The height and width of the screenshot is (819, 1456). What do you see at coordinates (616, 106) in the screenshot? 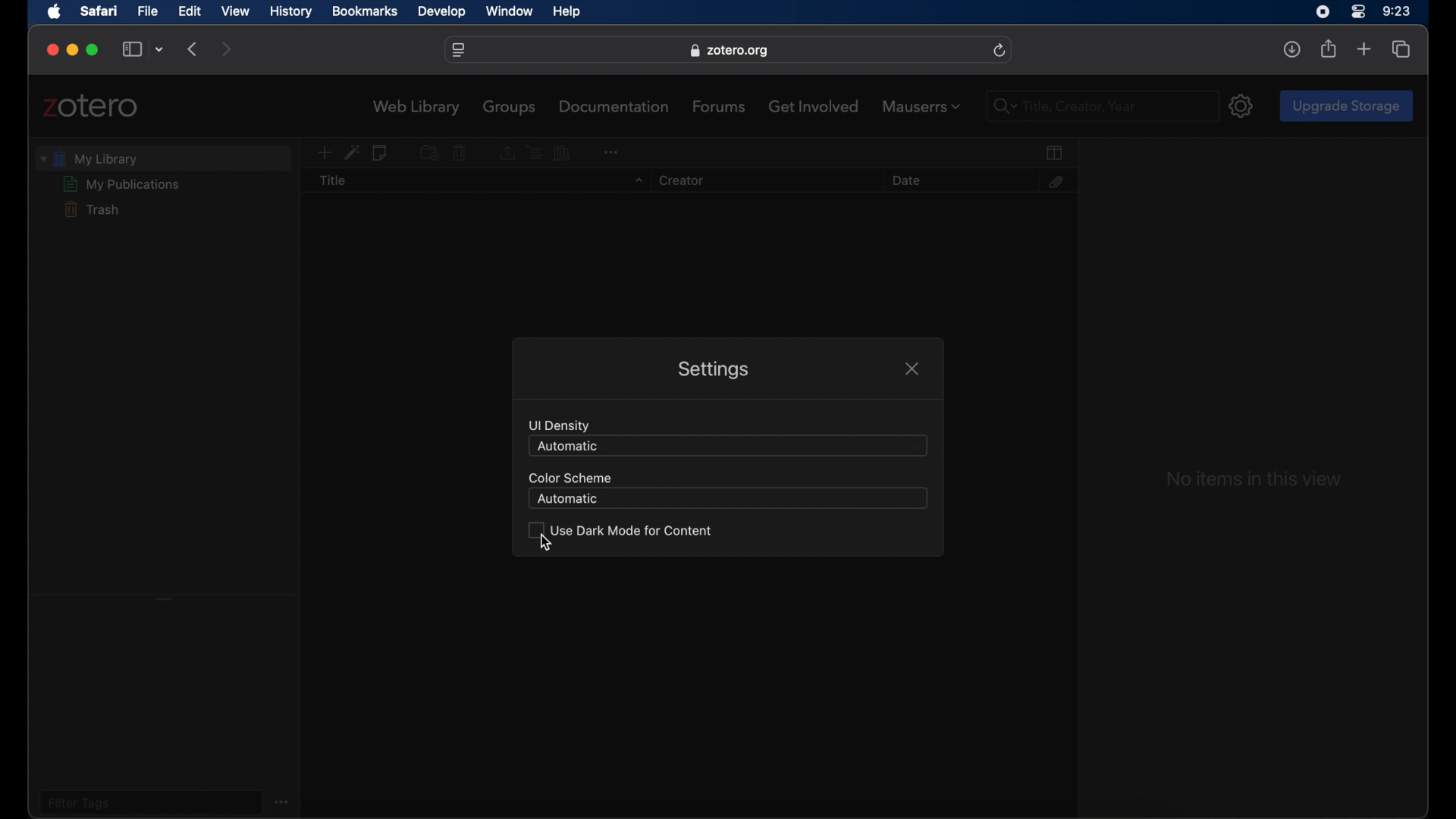
I see `documentation` at bounding box center [616, 106].